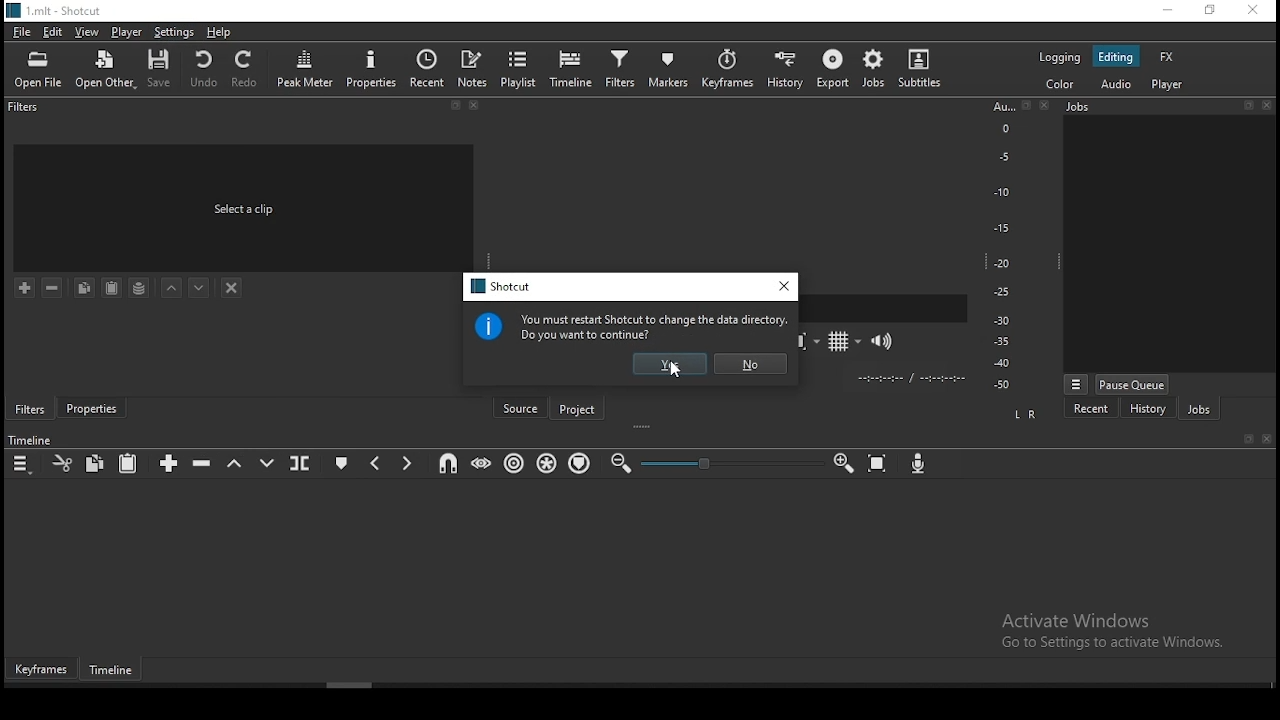 The height and width of the screenshot is (720, 1280). What do you see at coordinates (786, 67) in the screenshot?
I see `history` at bounding box center [786, 67].